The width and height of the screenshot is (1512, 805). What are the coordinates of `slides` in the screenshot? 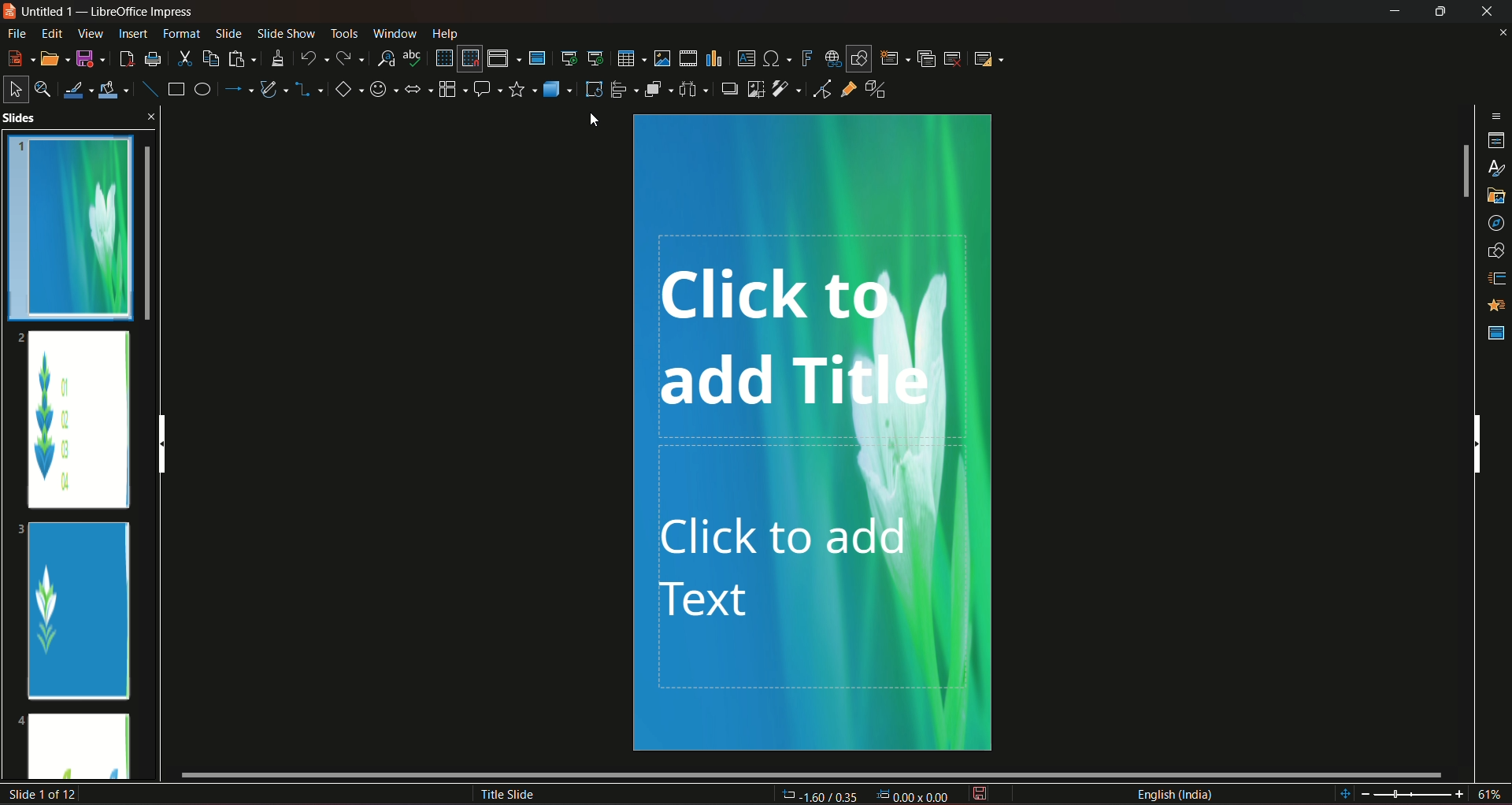 It's located at (65, 119).